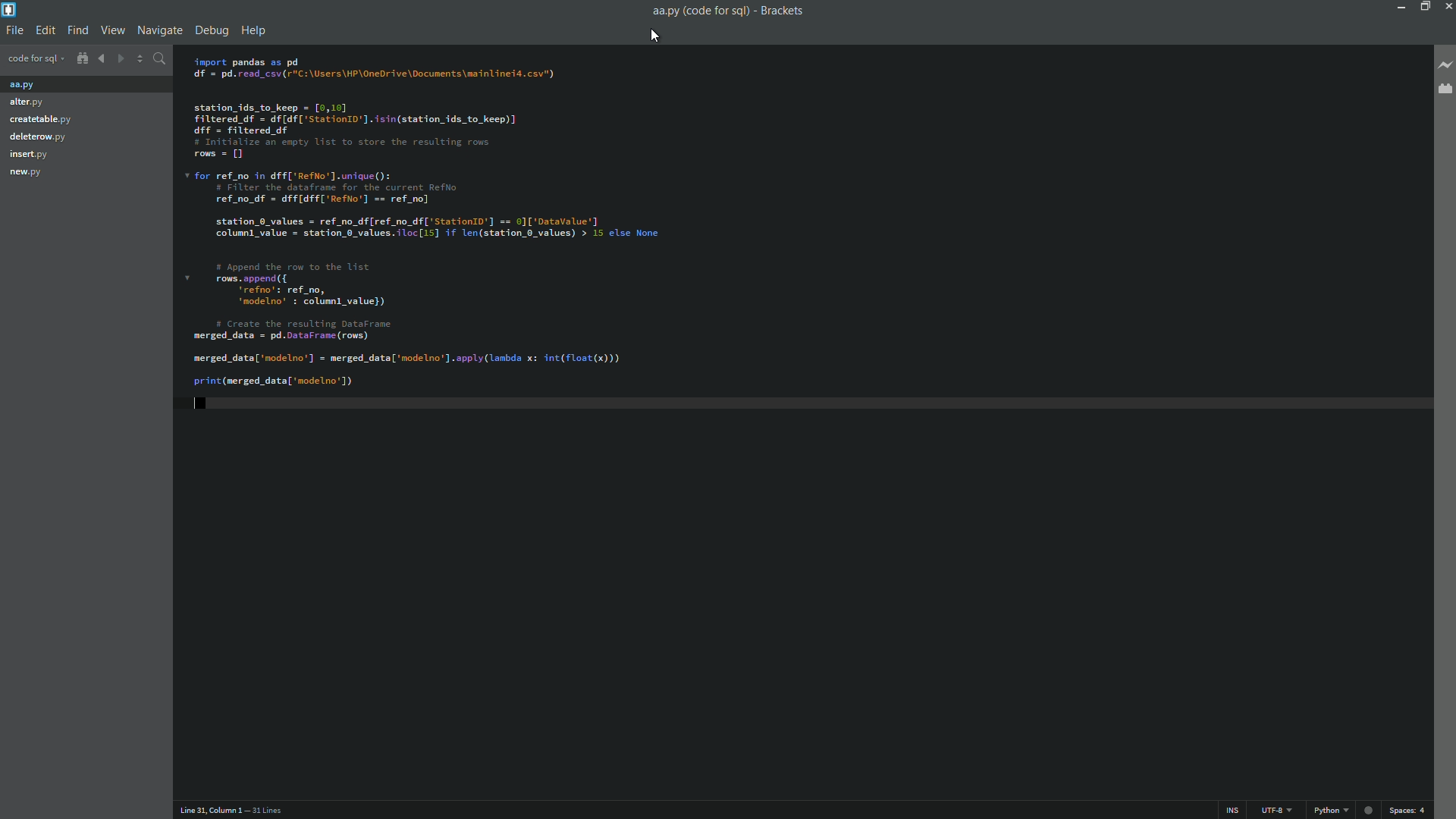  I want to click on cursor position, so click(36, 810).